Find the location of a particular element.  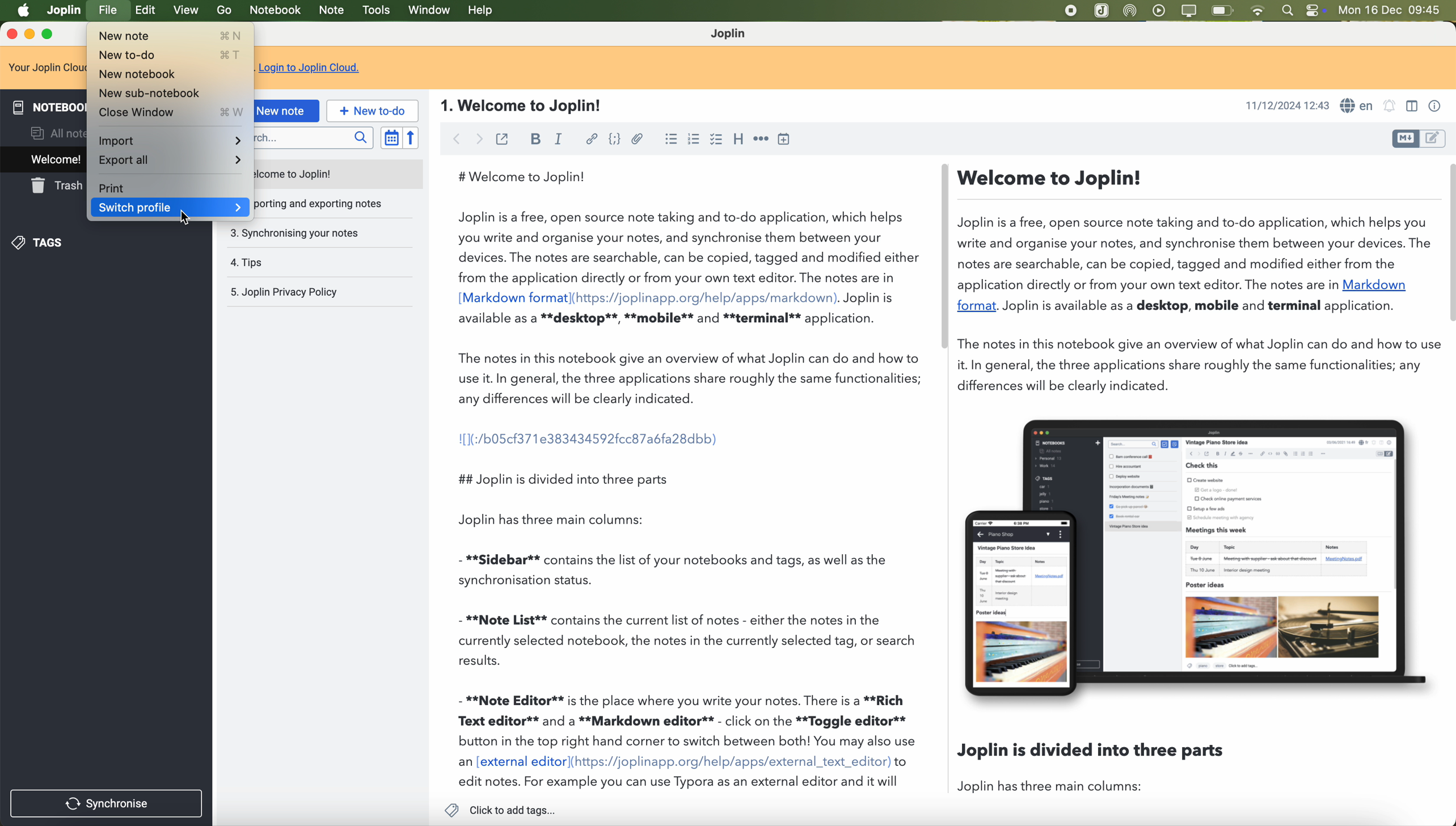

to is located at coordinates (902, 762).